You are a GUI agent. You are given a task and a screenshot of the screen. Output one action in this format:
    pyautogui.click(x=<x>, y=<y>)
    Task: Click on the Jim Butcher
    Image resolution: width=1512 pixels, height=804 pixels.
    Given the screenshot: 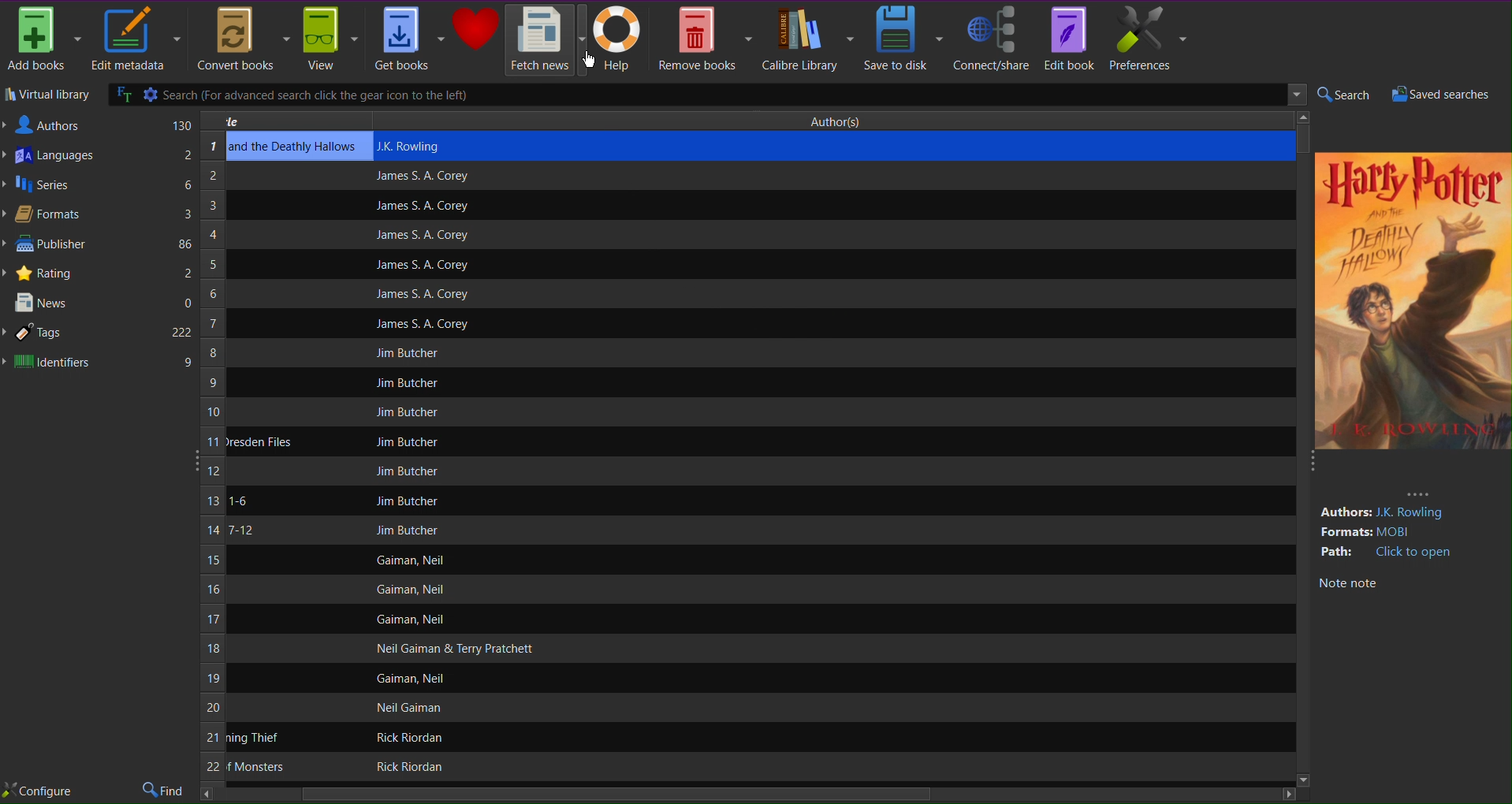 What is the action you would take?
    pyautogui.click(x=403, y=384)
    